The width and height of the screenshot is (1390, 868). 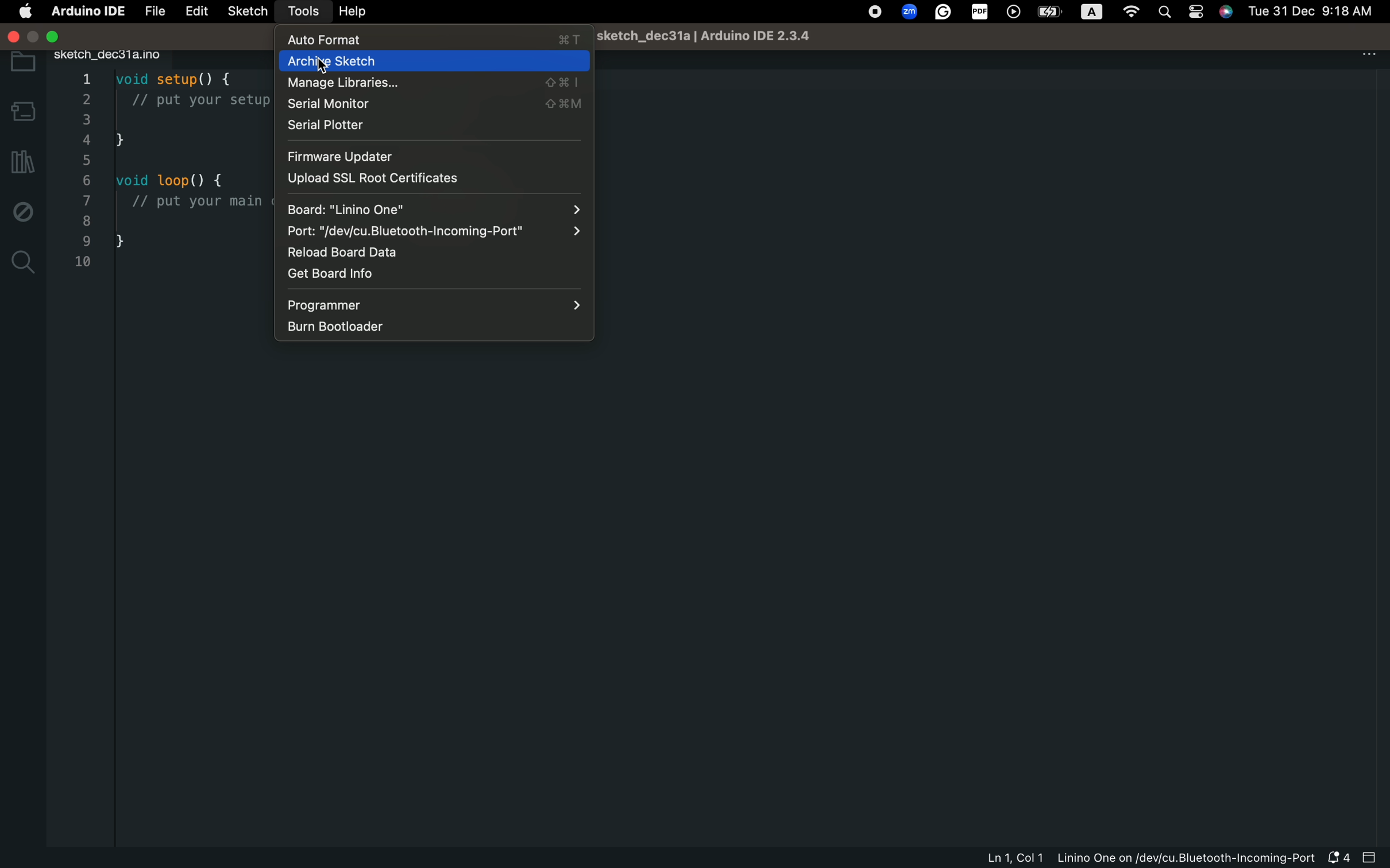 What do you see at coordinates (943, 13) in the screenshot?
I see `google extension` at bounding box center [943, 13].